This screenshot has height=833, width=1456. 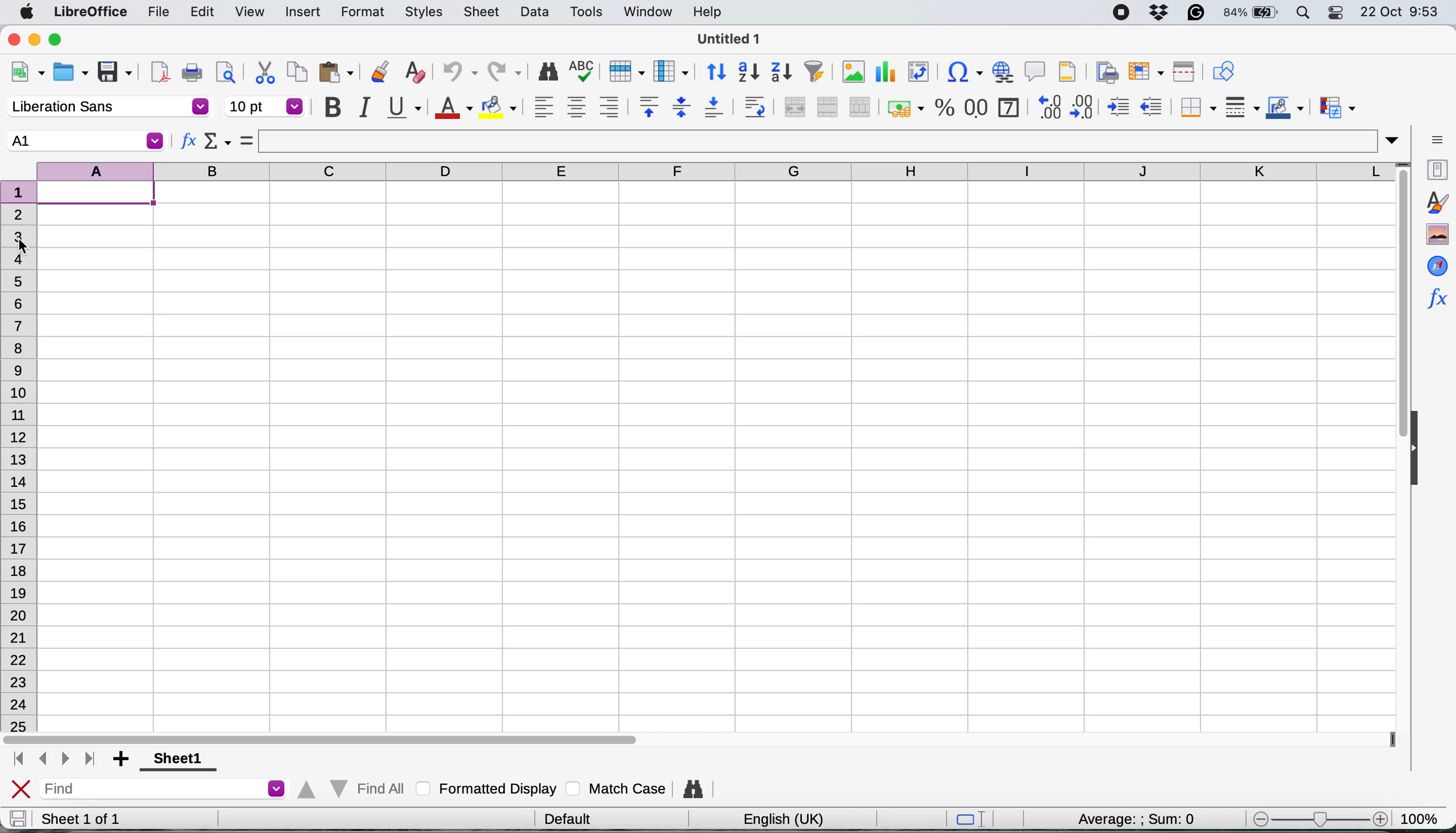 What do you see at coordinates (363, 107) in the screenshot?
I see `italic` at bounding box center [363, 107].